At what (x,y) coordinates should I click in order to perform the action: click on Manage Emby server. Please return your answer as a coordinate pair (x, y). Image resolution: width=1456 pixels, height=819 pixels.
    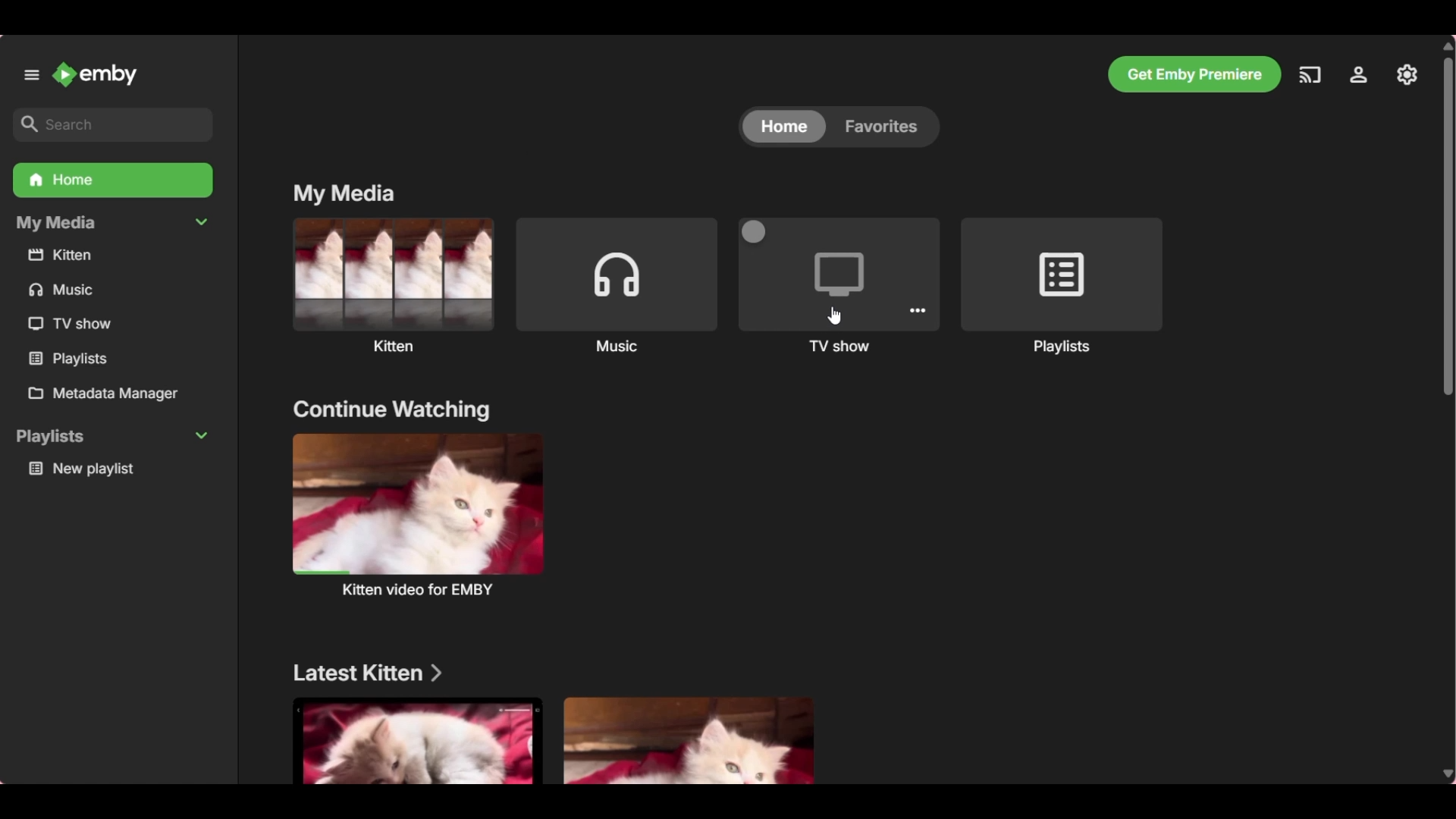
    Looking at the image, I should click on (1407, 75).